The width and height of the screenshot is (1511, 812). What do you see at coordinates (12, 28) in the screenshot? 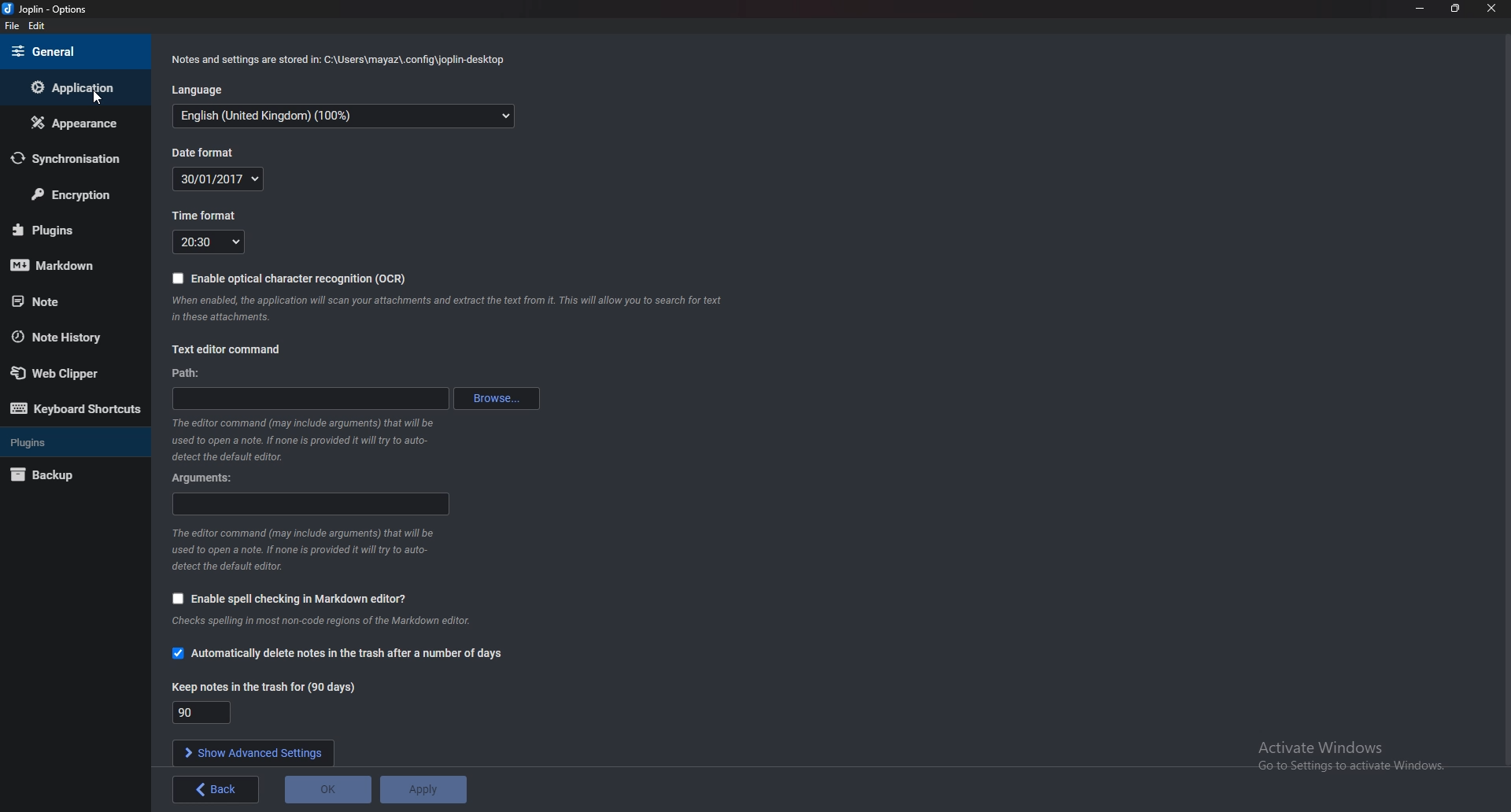
I see `file` at bounding box center [12, 28].